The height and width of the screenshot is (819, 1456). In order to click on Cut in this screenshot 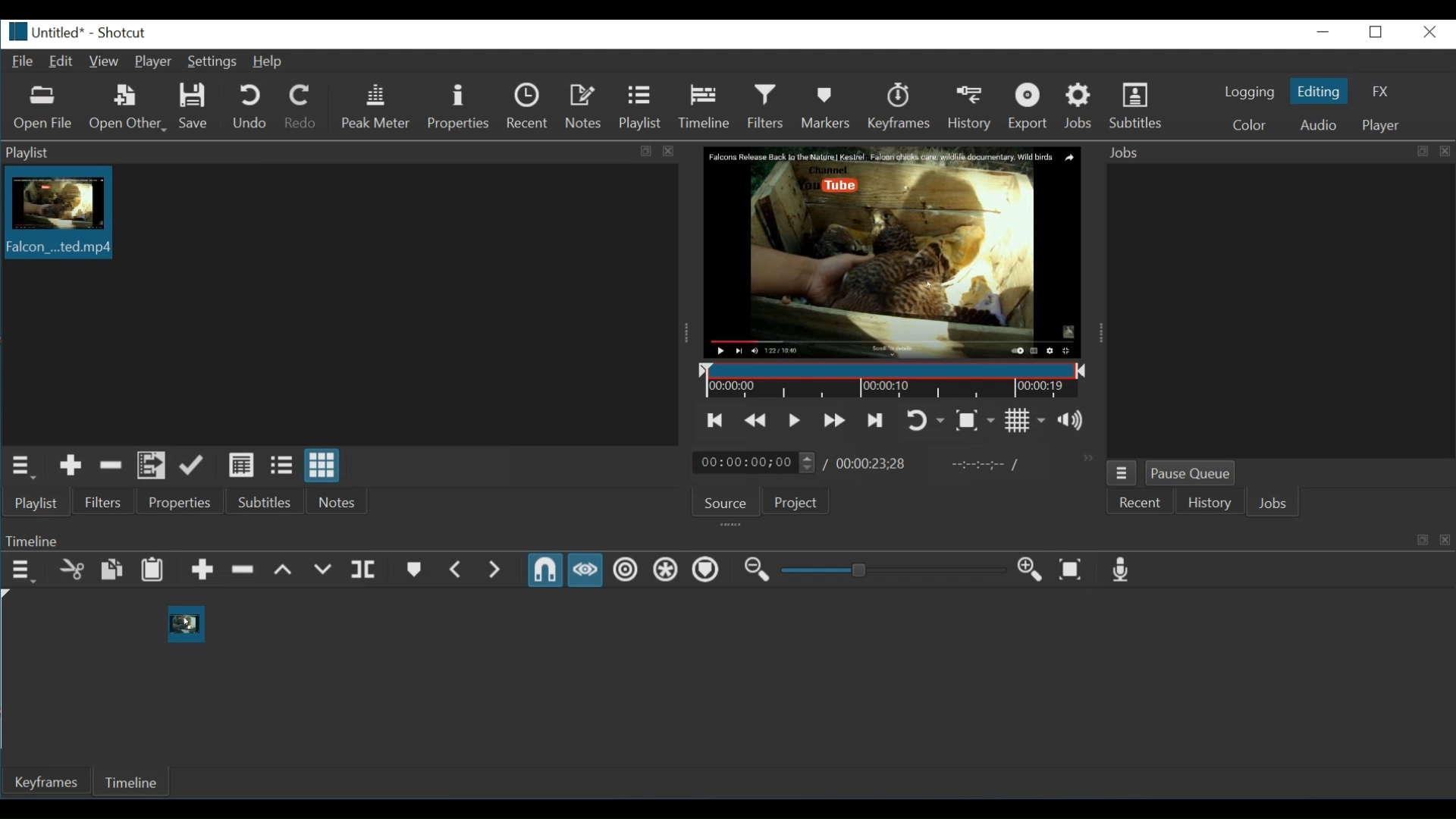, I will do `click(72, 570)`.